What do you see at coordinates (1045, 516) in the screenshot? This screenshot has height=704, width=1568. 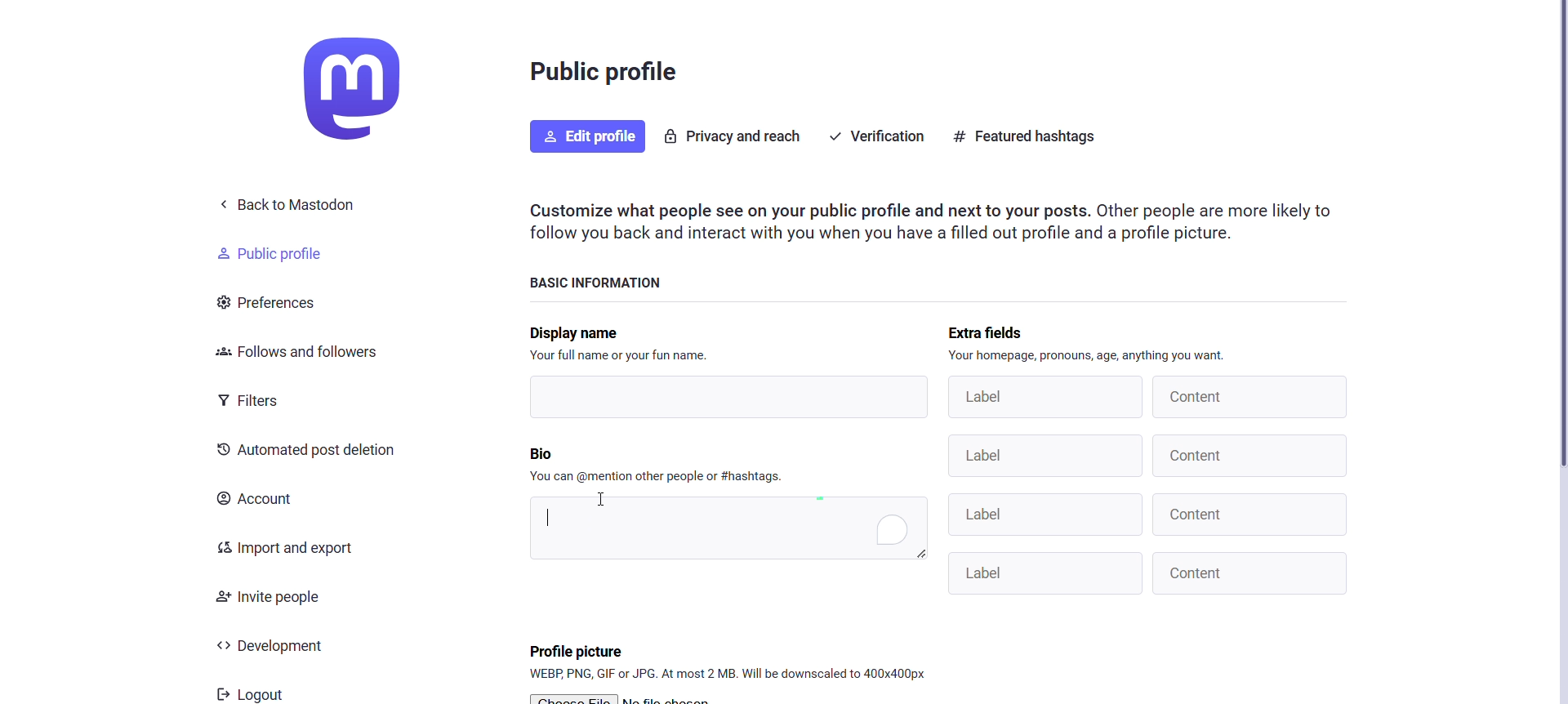 I see `Label` at bounding box center [1045, 516].